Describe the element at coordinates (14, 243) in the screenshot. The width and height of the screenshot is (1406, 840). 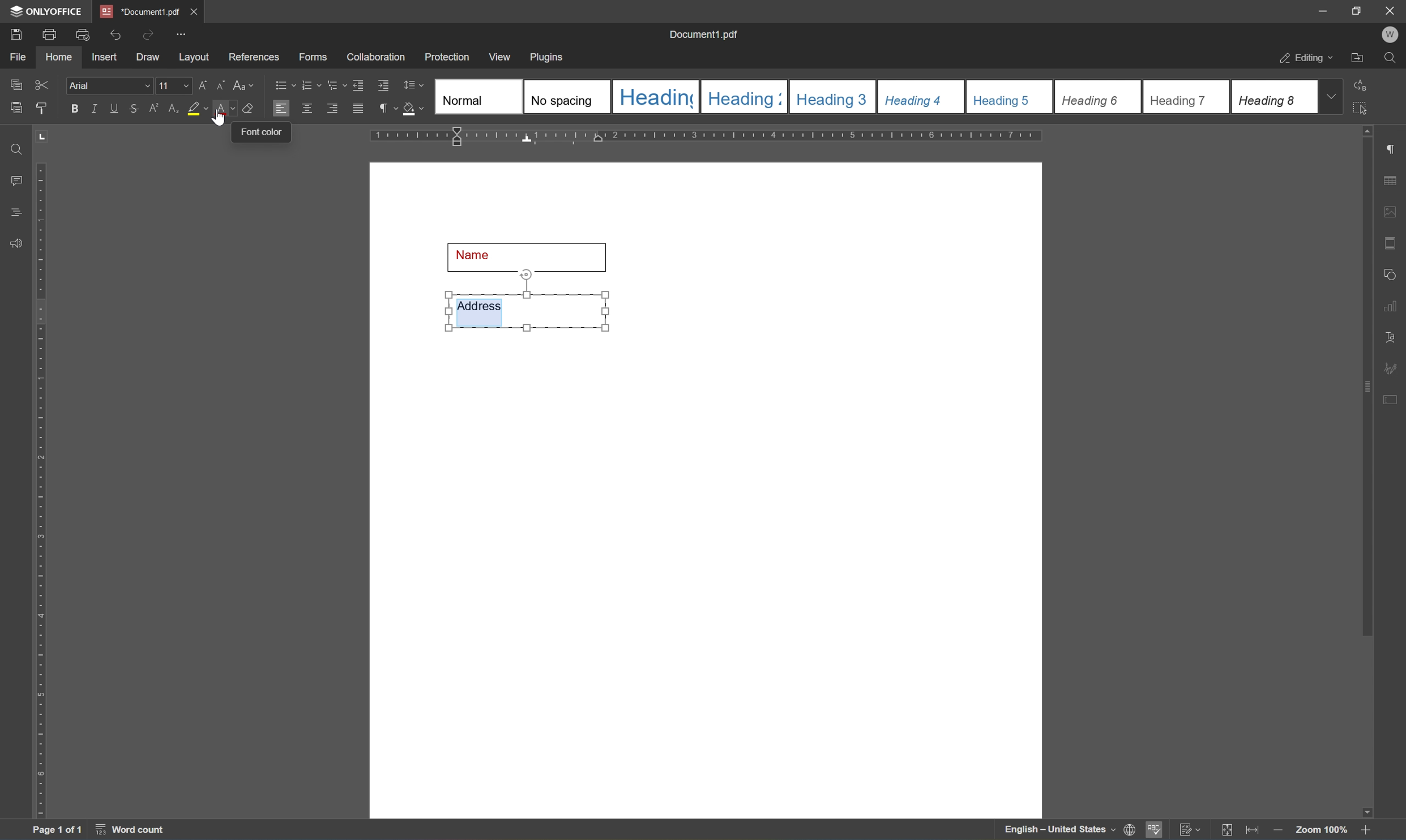
I see `feedback and support` at that location.